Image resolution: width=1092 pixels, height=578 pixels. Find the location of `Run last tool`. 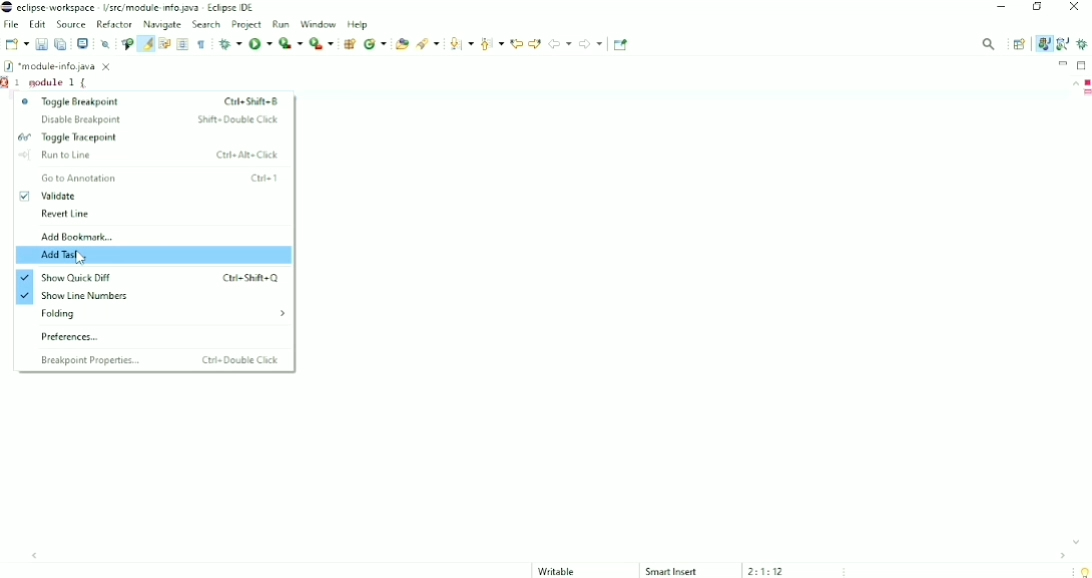

Run last tool is located at coordinates (322, 44).